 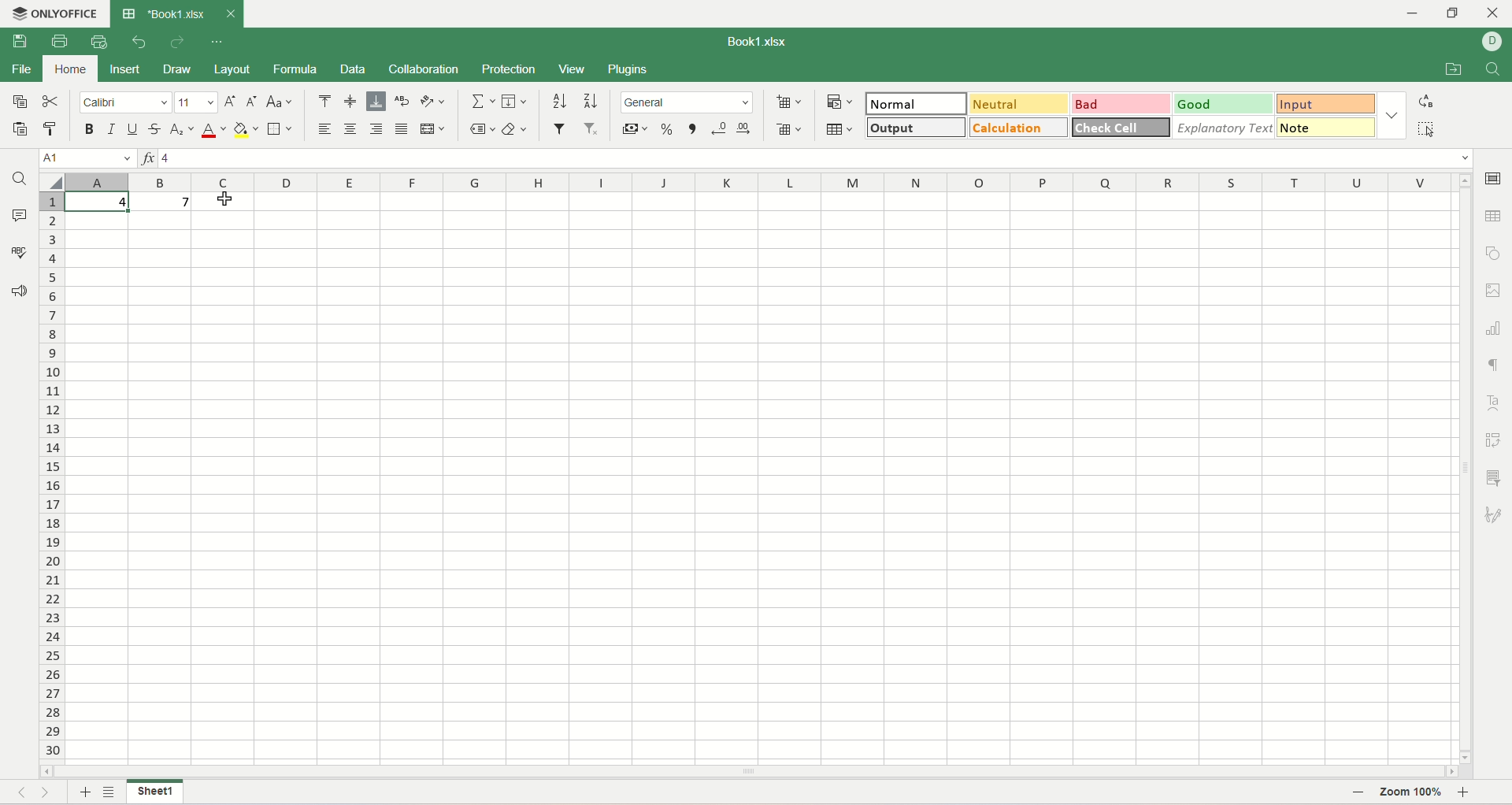 I want to click on input, so click(x=1330, y=102).